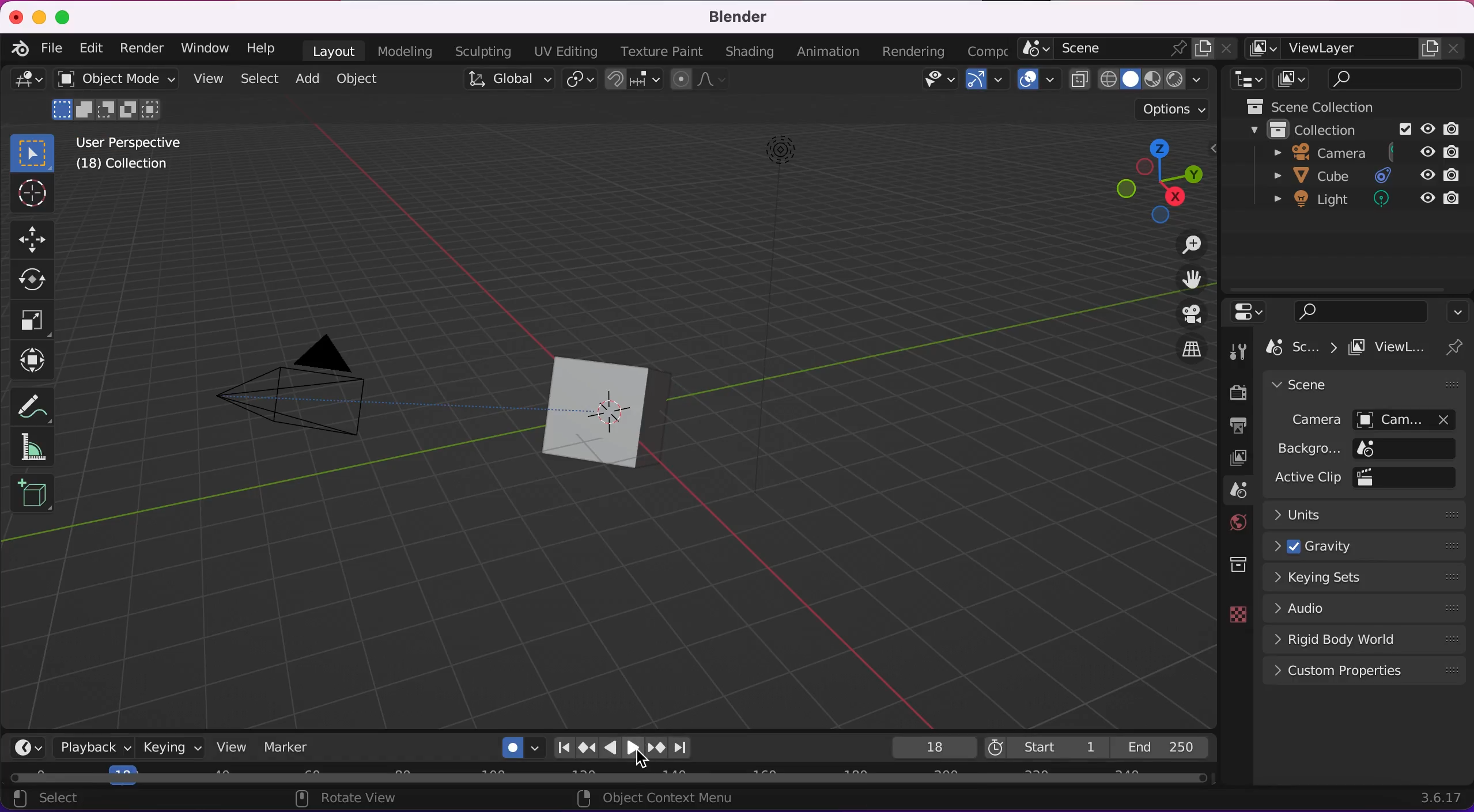  I want to click on cube, so click(1358, 176).